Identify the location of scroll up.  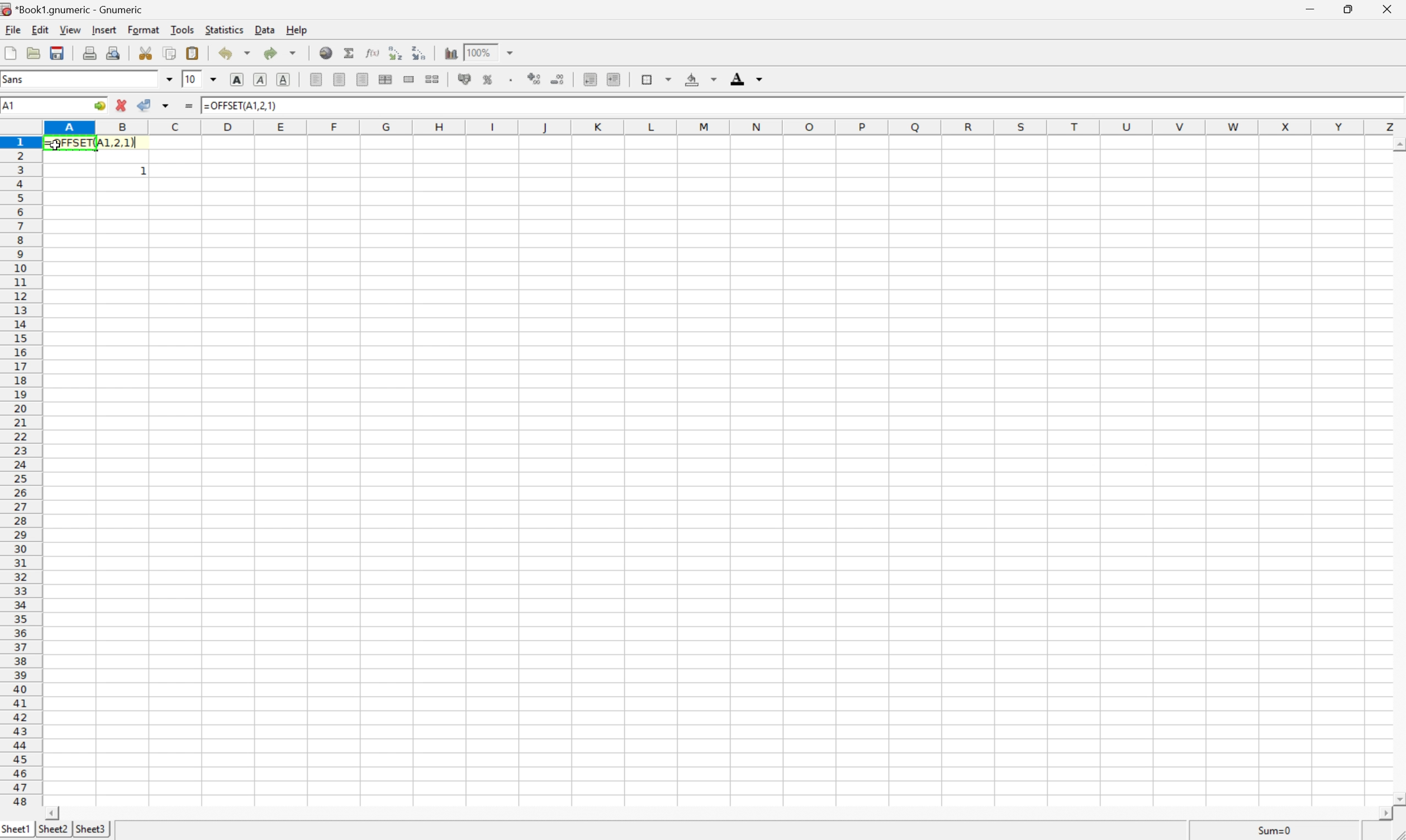
(1397, 147).